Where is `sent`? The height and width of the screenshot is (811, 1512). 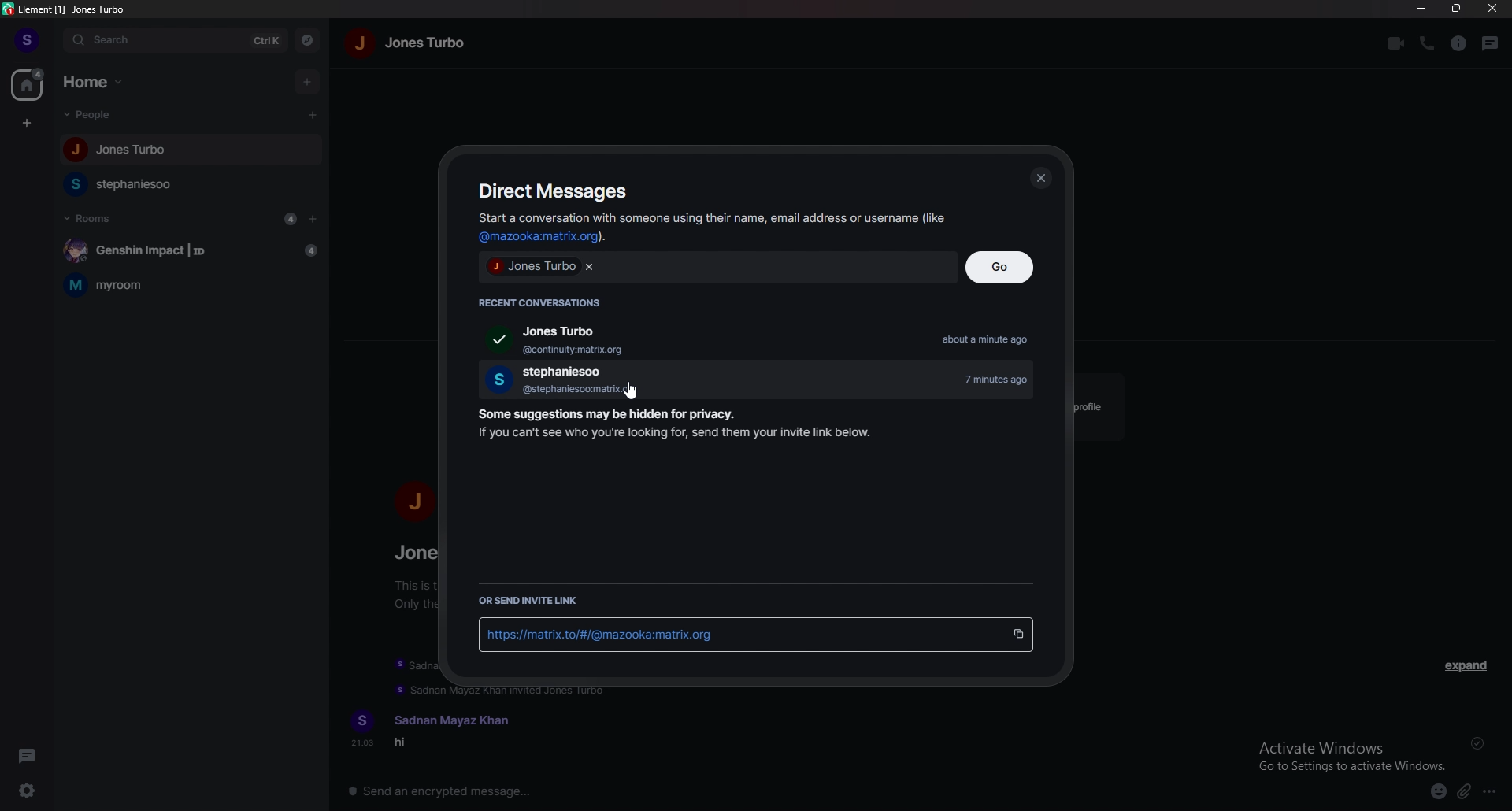
sent is located at coordinates (1476, 744).